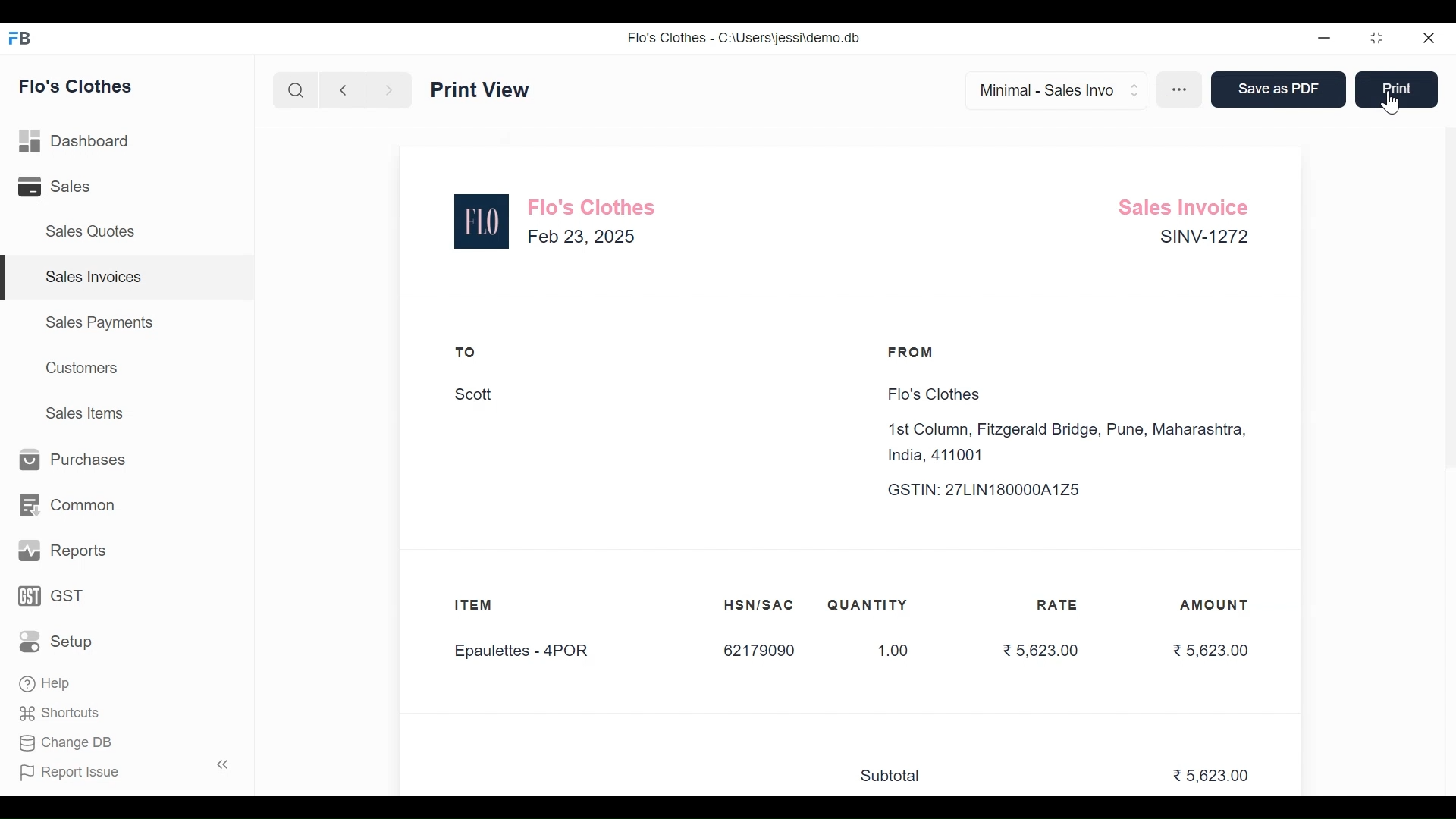  Describe the element at coordinates (1072, 443) in the screenshot. I see `1st Column, Fitzgerald Bridge, Pune, Maharashtra, India, 411001` at that location.